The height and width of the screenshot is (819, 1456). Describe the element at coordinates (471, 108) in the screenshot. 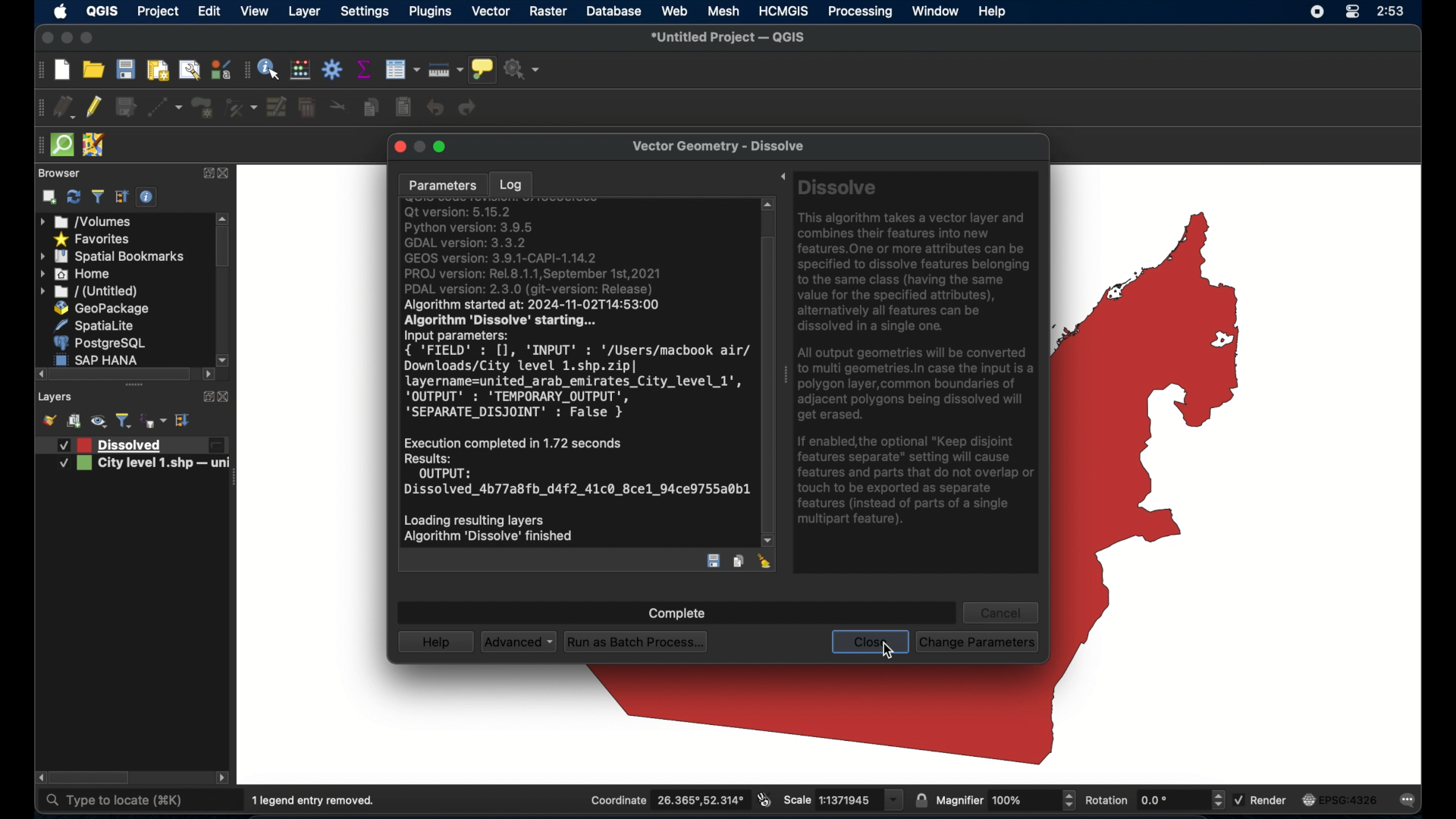

I see `redo` at that location.